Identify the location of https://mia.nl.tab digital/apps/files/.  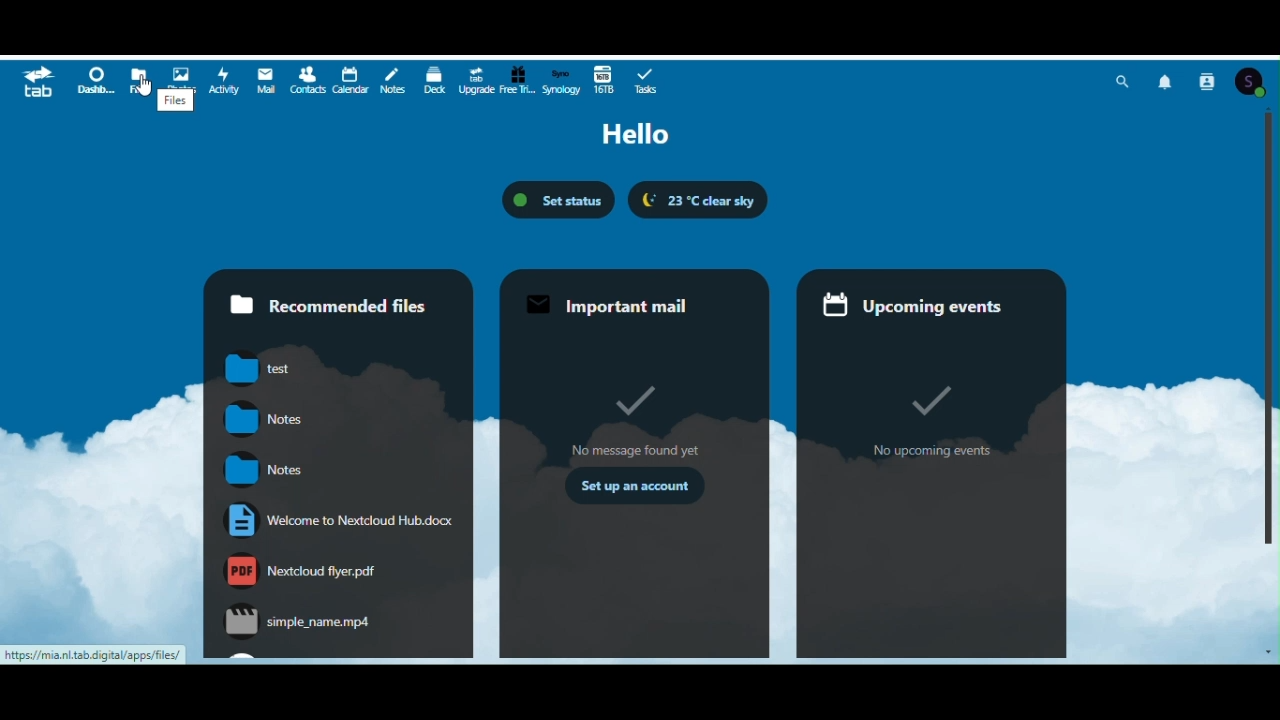
(95, 655).